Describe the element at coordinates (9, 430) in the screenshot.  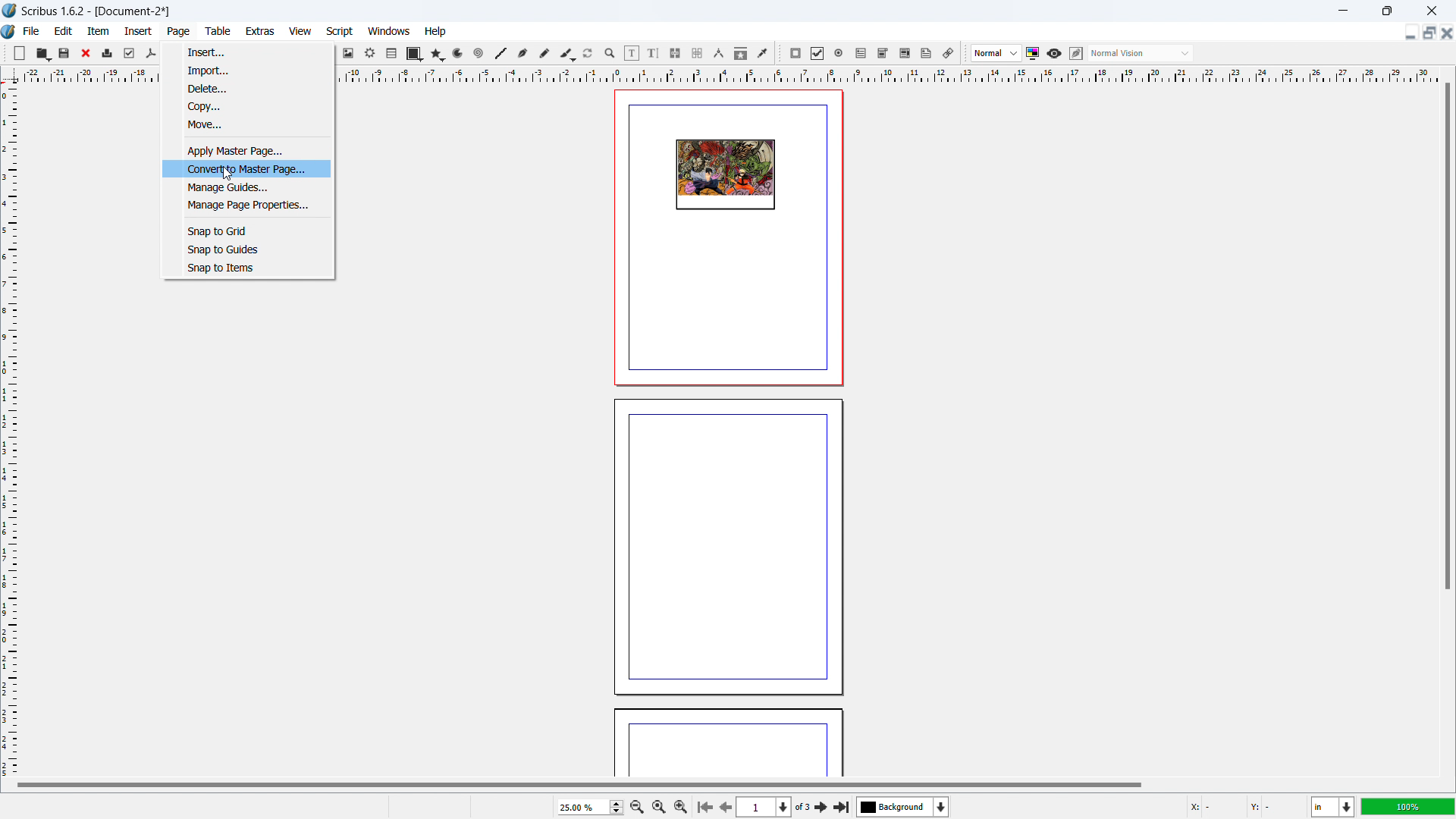
I see `vertical ruler` at that location.